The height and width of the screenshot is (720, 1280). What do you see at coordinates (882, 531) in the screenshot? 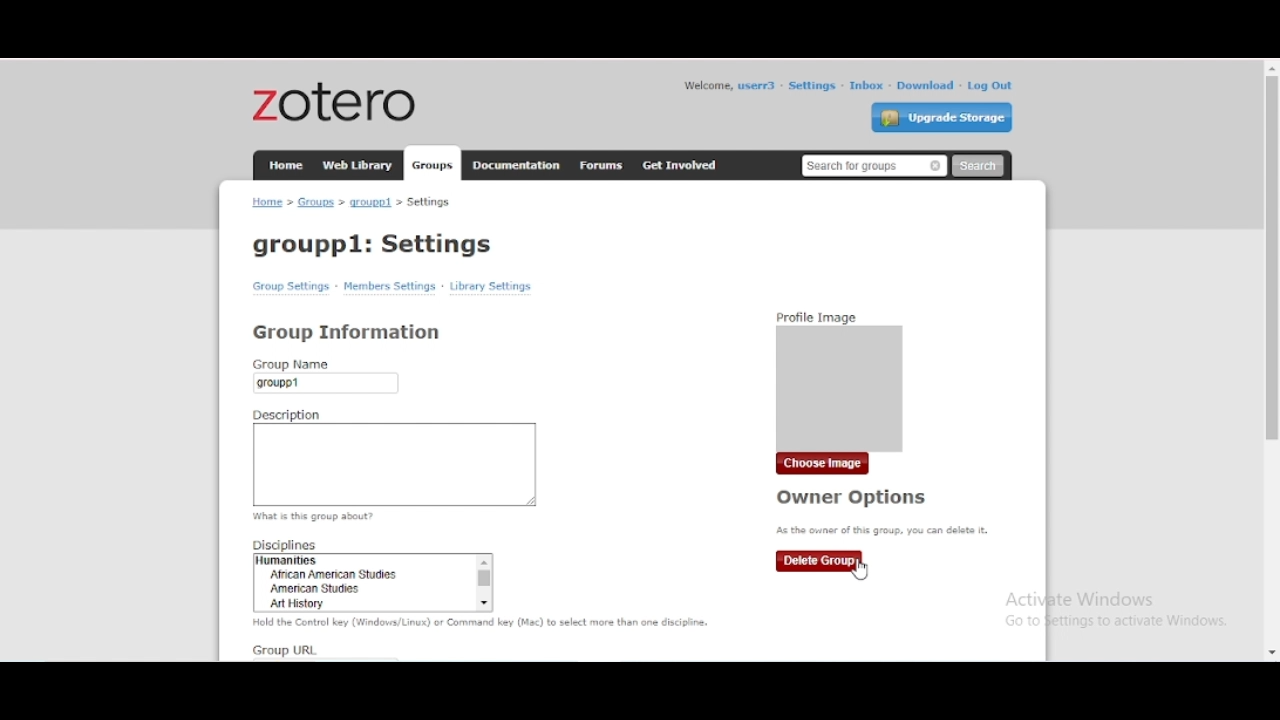
I see `as the owner of this group, you can delete it.` at bounding box center [882, 531].